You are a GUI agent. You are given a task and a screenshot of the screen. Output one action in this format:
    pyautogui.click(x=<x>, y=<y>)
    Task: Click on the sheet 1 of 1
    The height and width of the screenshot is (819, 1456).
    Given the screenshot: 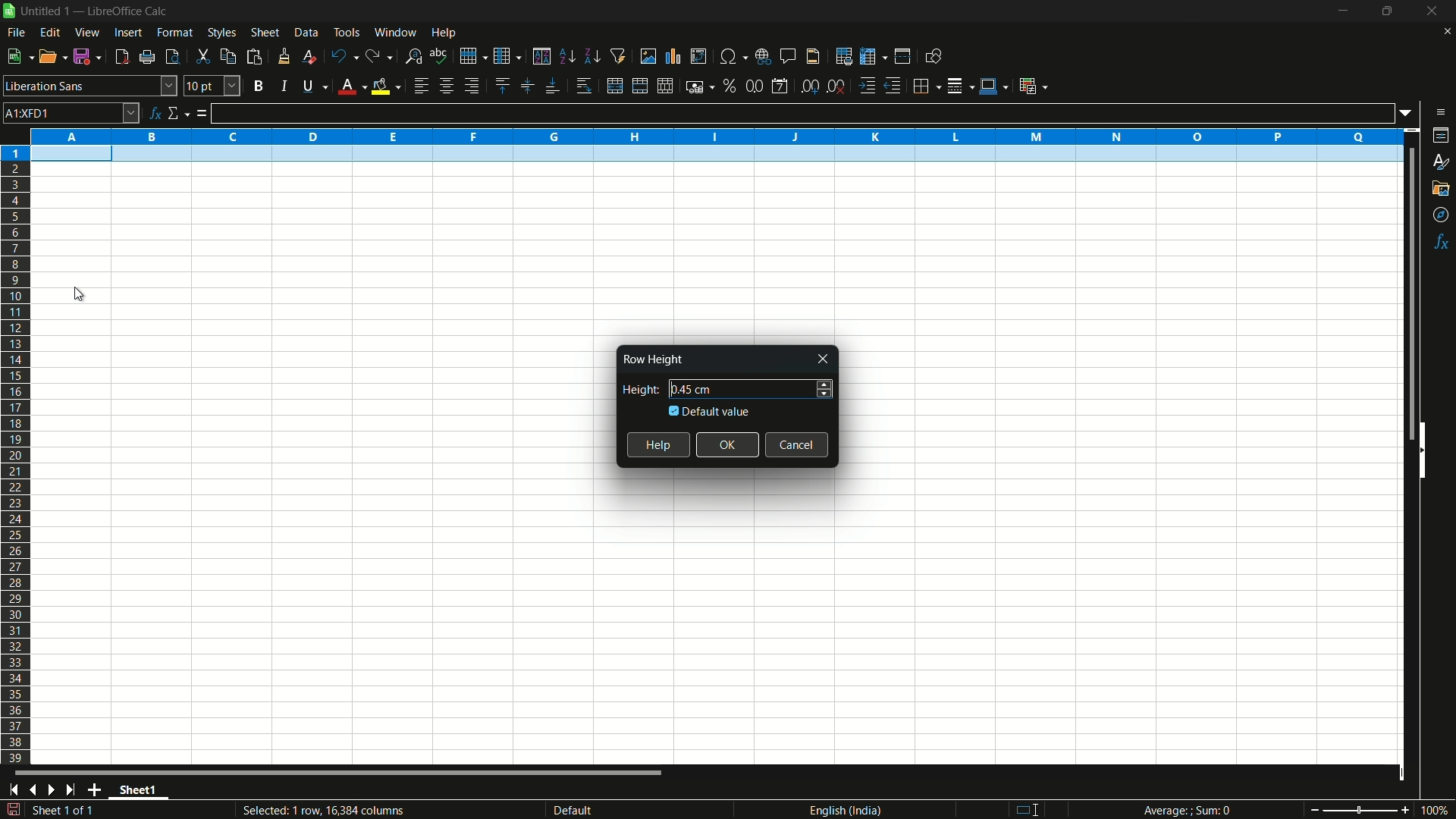 What is the action you would take?
    pyautogui.click(x=68, y=812)
    